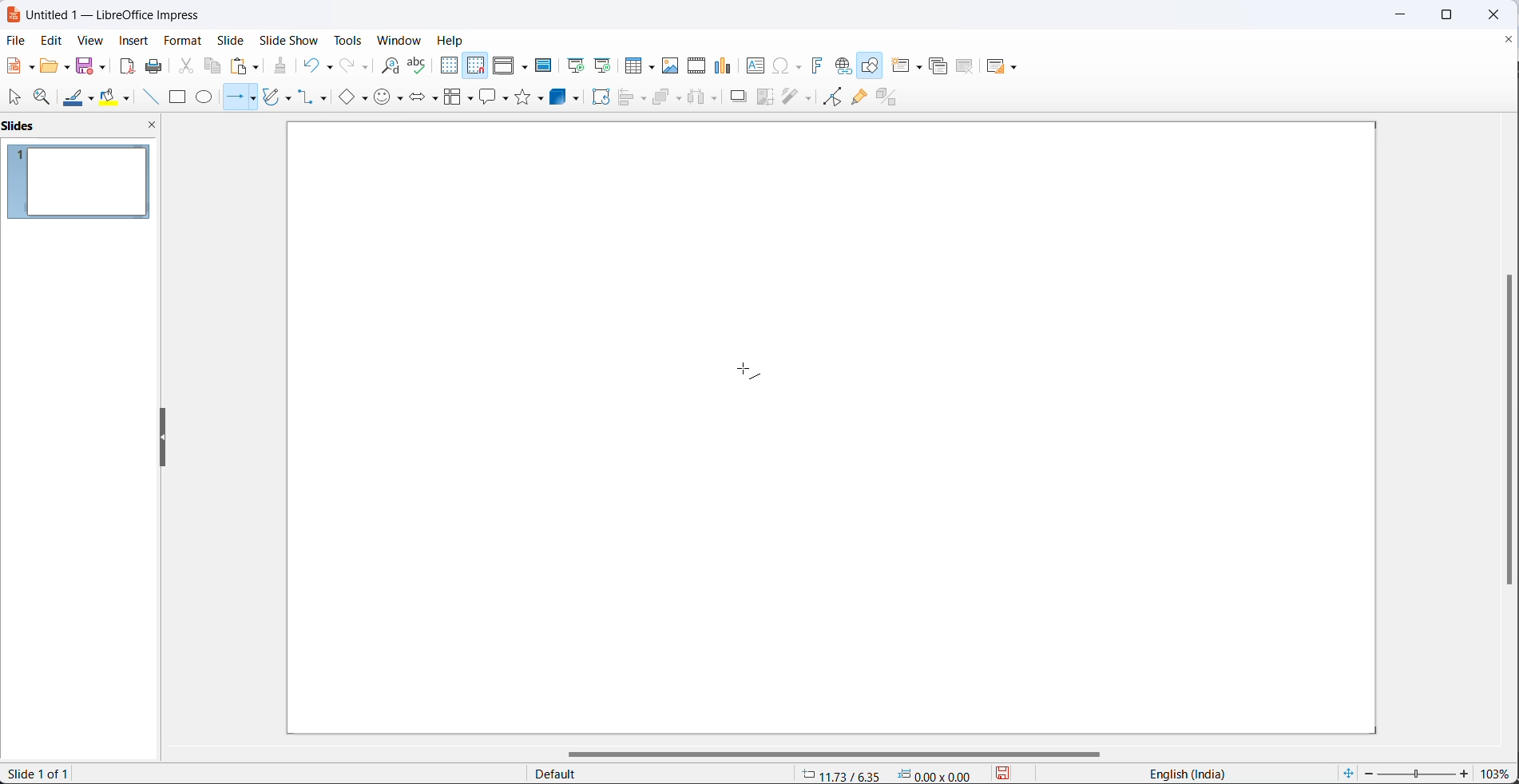  Describe the element at coordinates (43, 97) in the screenshot. I see `zoom and pan` at that location.